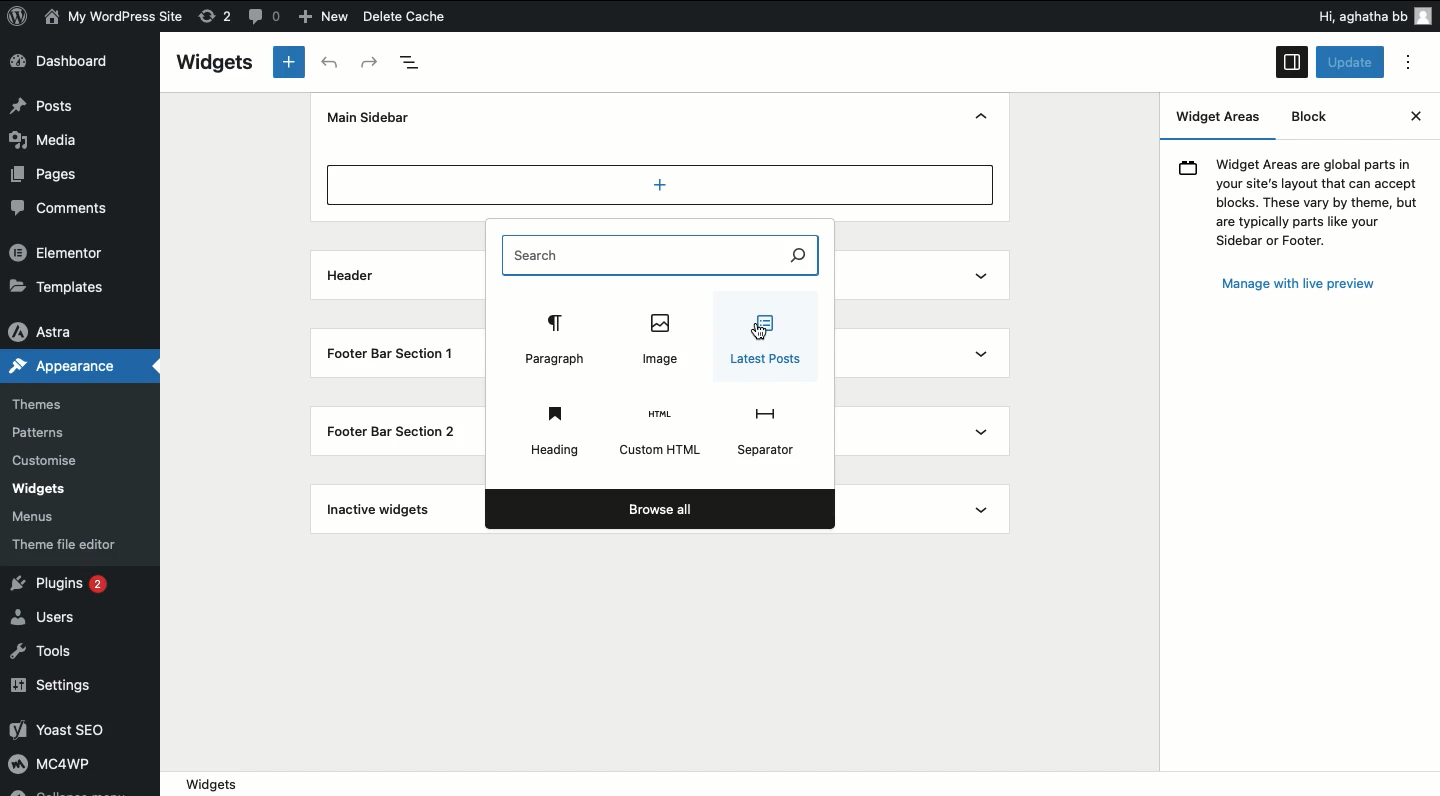 The image size is (1440, 796). I want to click on Block, so click(1309, 118).